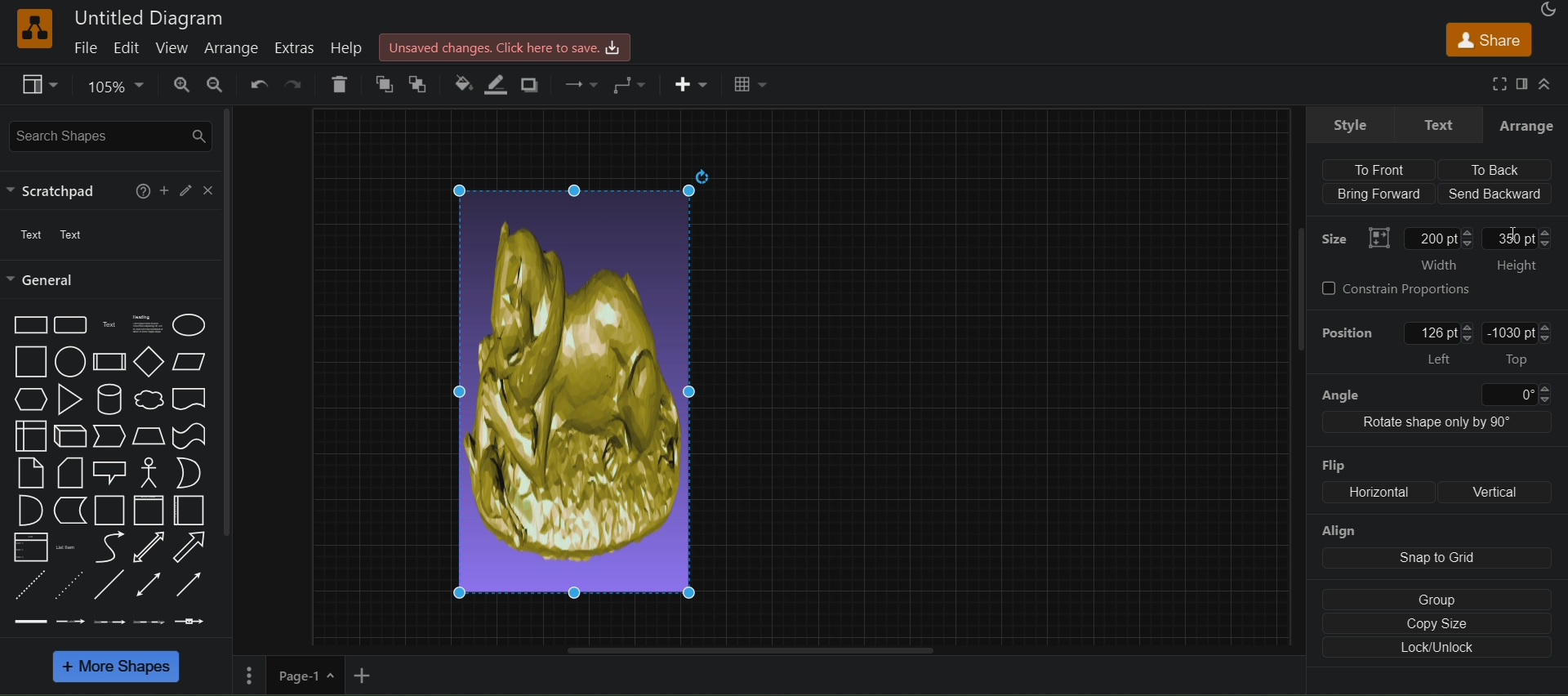  What do you see at coordinates (1351, 124) in the screenshot?
I see `style` at bounding box center [1351, 124].